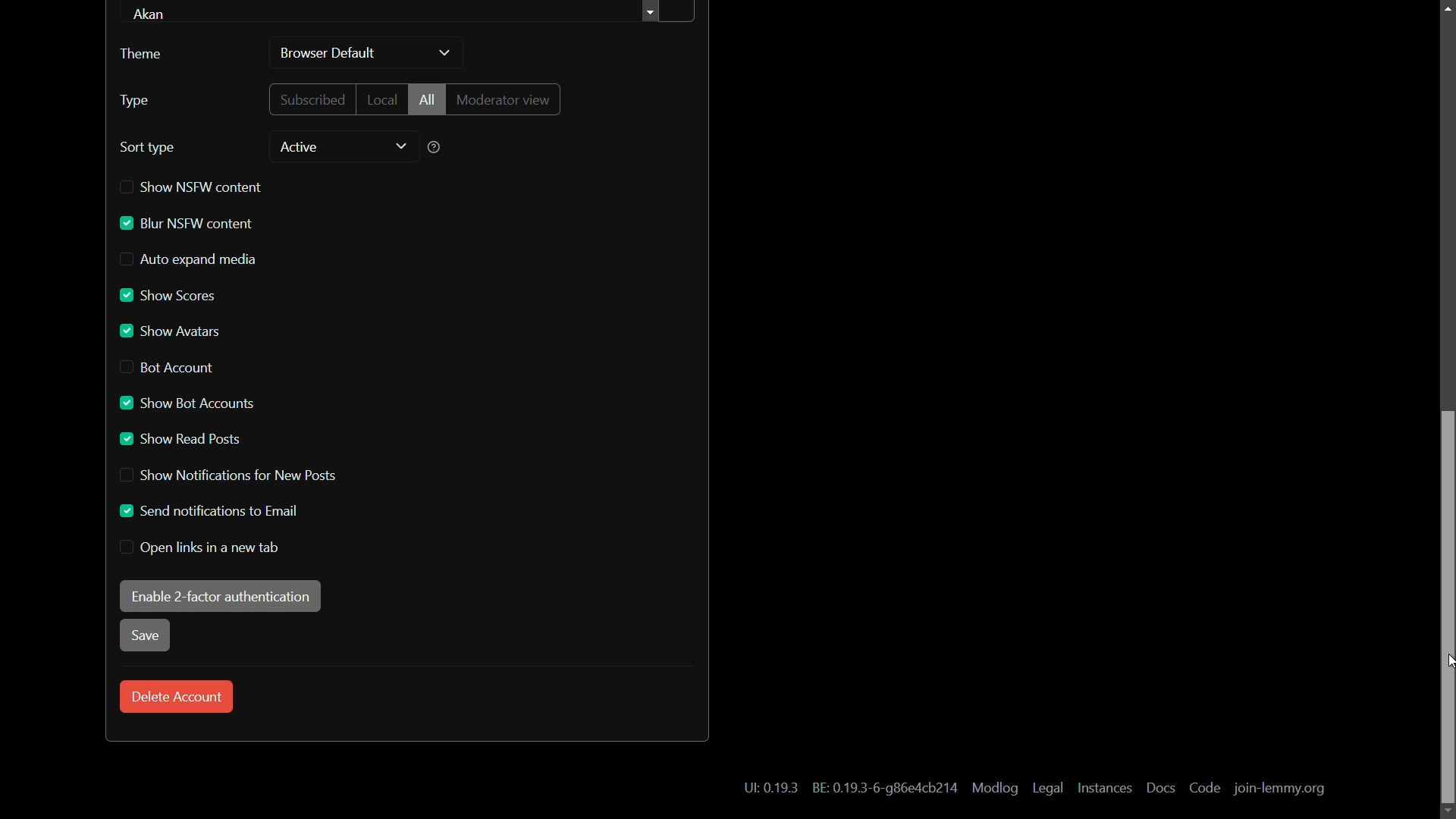  I want to click on text, so click(882, 787).